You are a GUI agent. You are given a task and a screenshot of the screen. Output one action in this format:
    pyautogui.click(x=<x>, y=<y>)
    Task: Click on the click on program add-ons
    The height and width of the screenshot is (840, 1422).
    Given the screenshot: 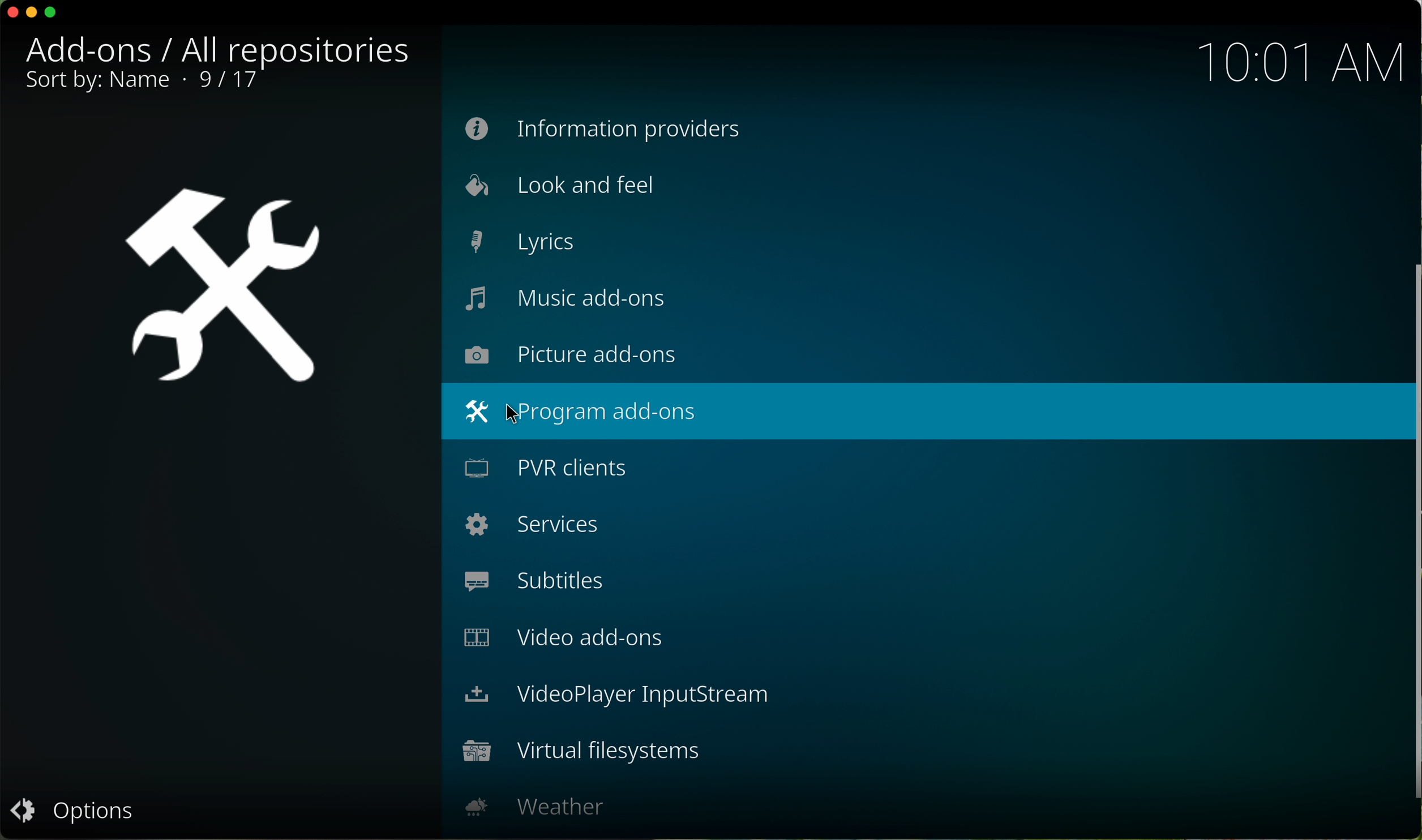 What is the action you would take?
    pyautogui.click(x=922, y=412)
    